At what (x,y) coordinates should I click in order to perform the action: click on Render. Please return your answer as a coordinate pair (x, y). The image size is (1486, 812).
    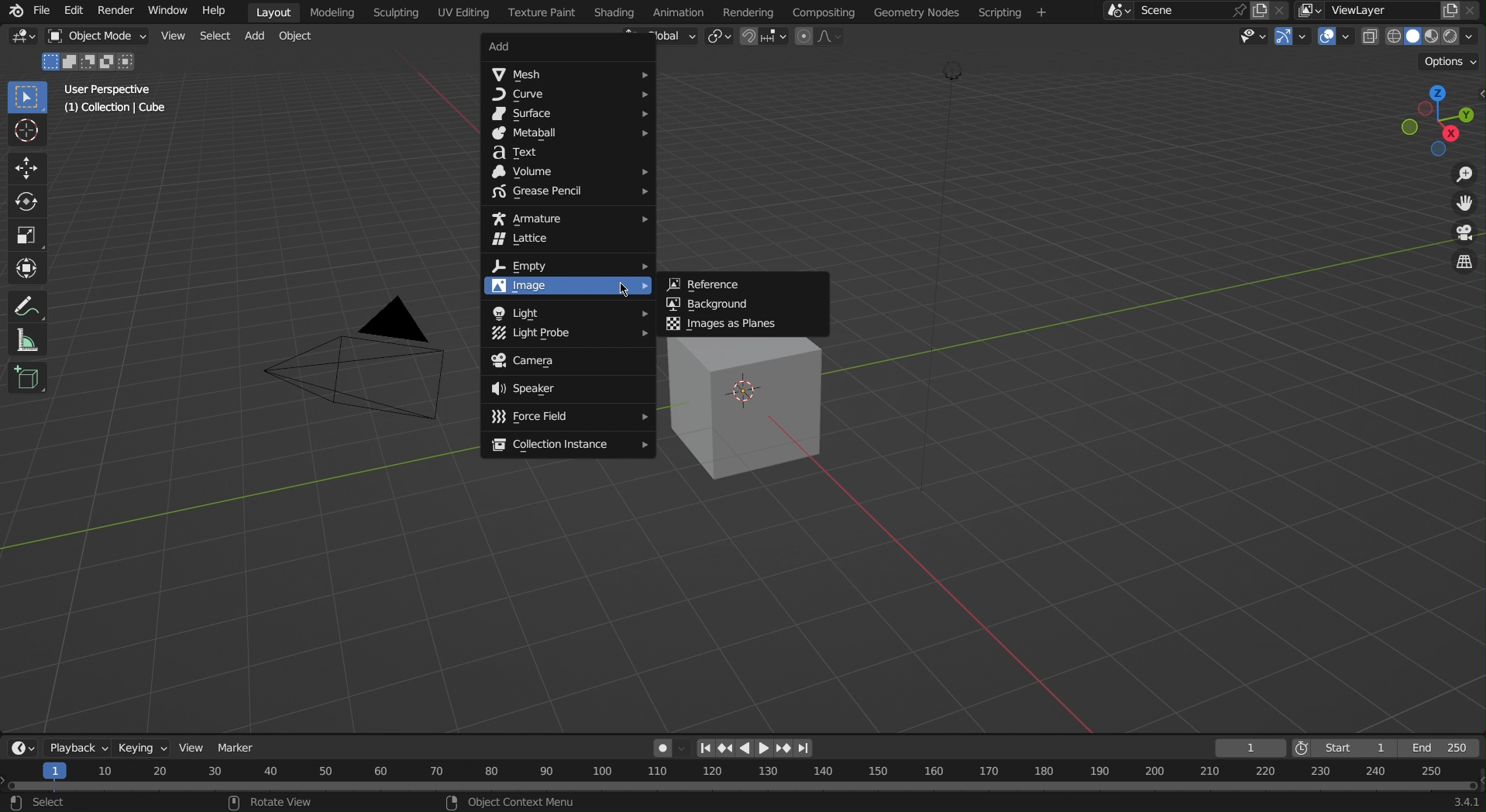
    Looking at the image, I should click on (115, 12).